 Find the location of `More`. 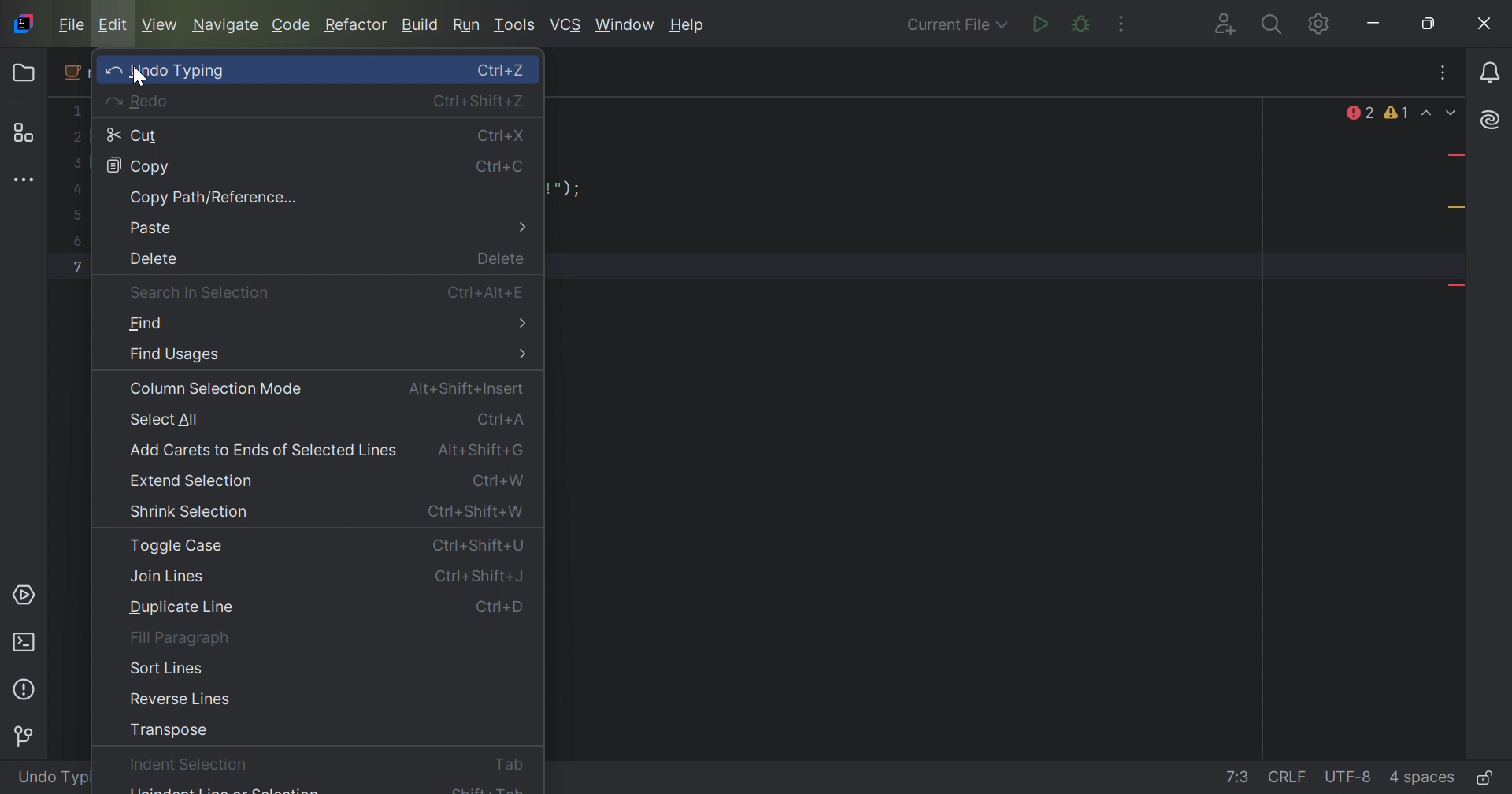

More is located at coordinates (519, 226).